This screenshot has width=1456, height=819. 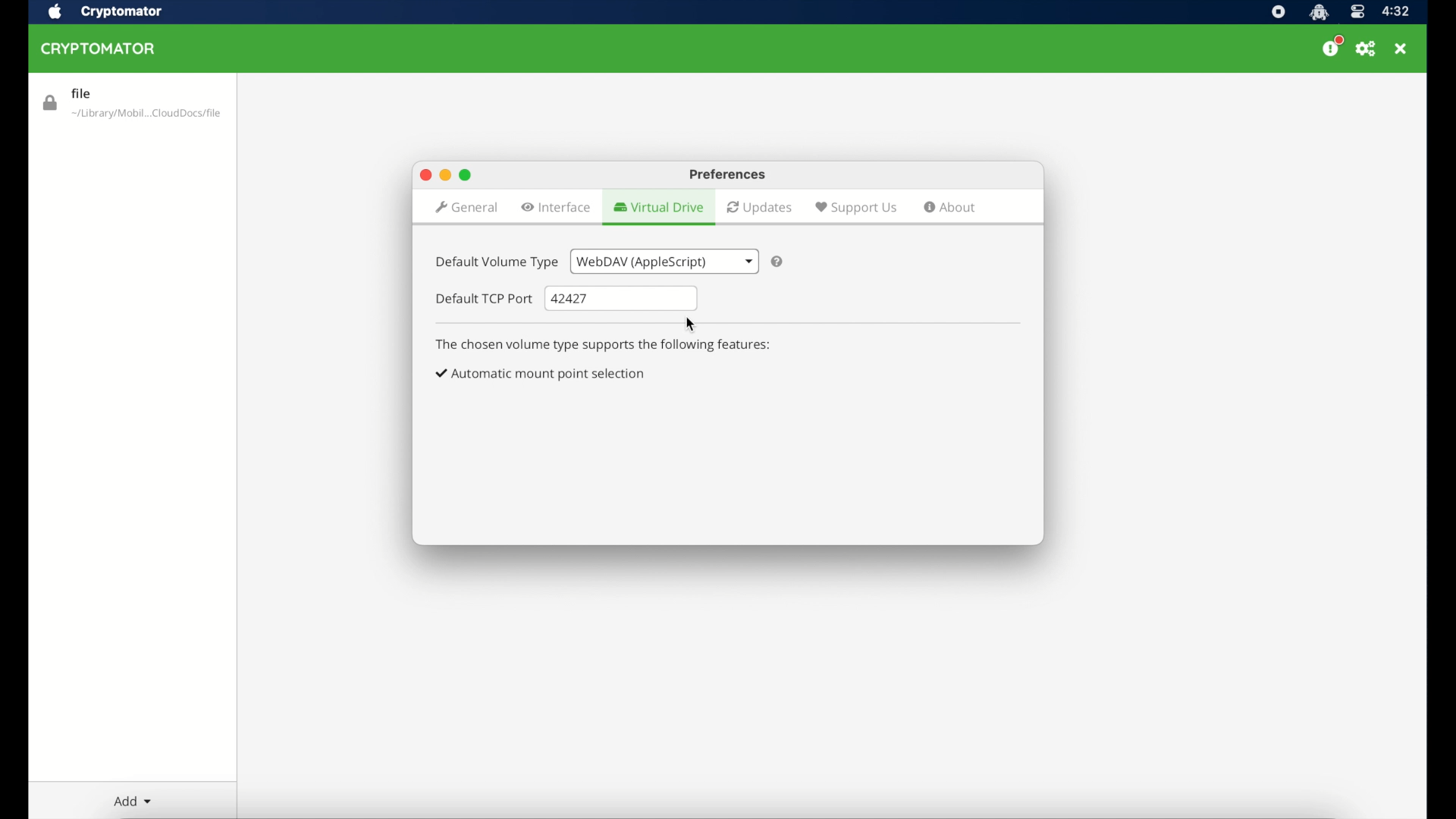 What do you see at coordinates (1332, 47) in the screenshot?
I see `donate` at bounding box center [1332, 47].